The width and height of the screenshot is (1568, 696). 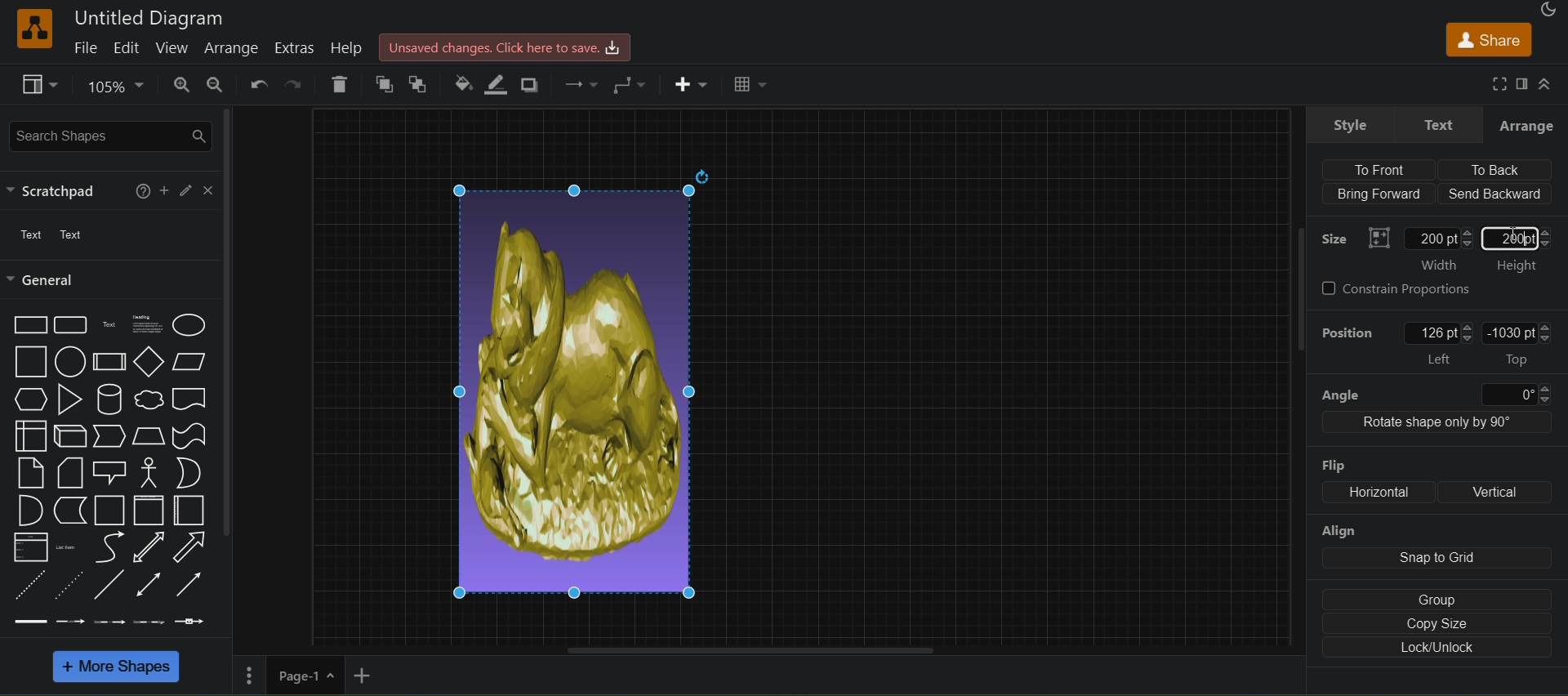 I want to click on waypoints, so click(x=579, y=86).